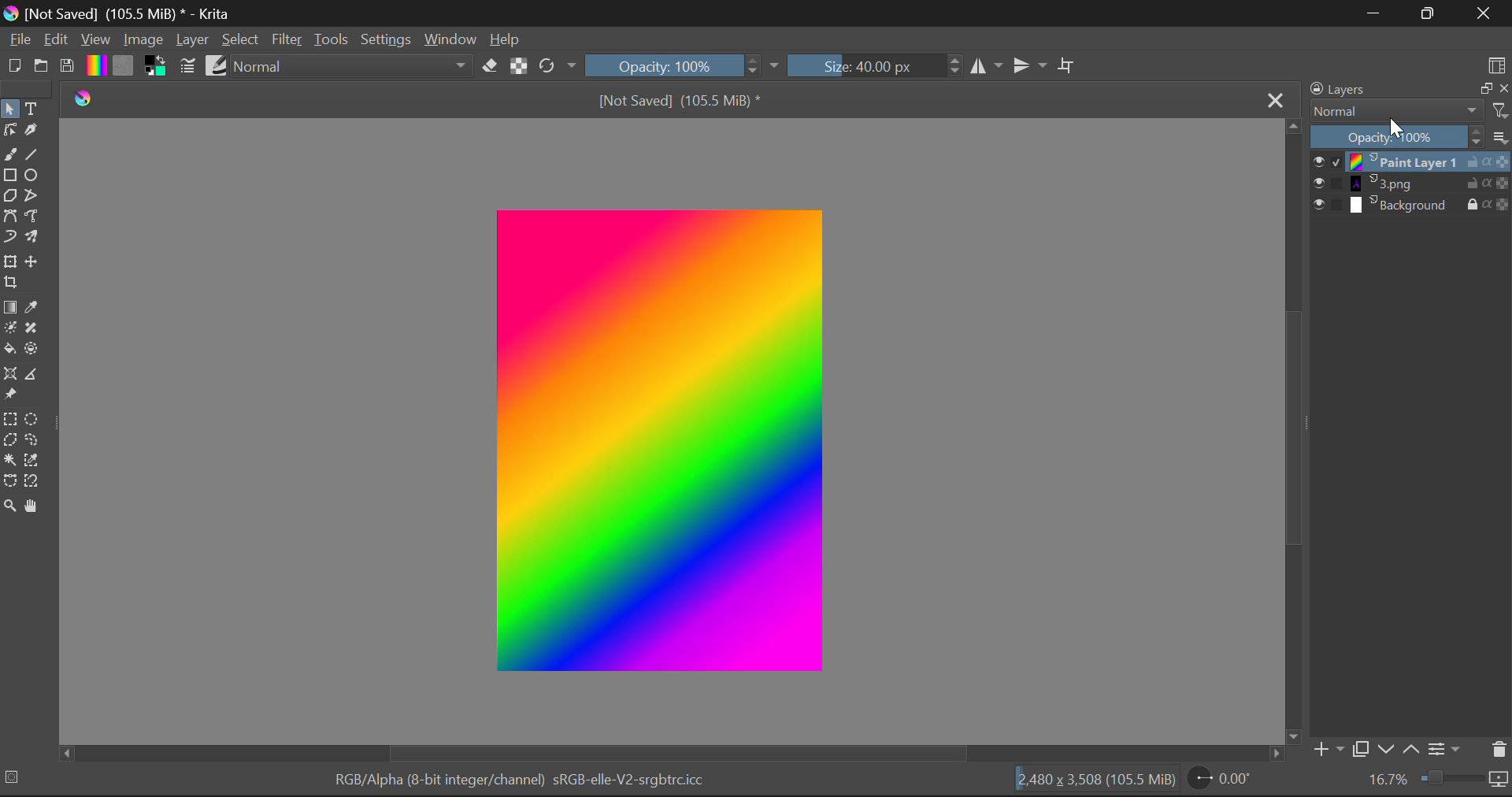 The width and height of the screenshot is (1512, 797). Describe the element at coordinates (1327, 184) in the screenshot. I see `show or hide layer` at that location.